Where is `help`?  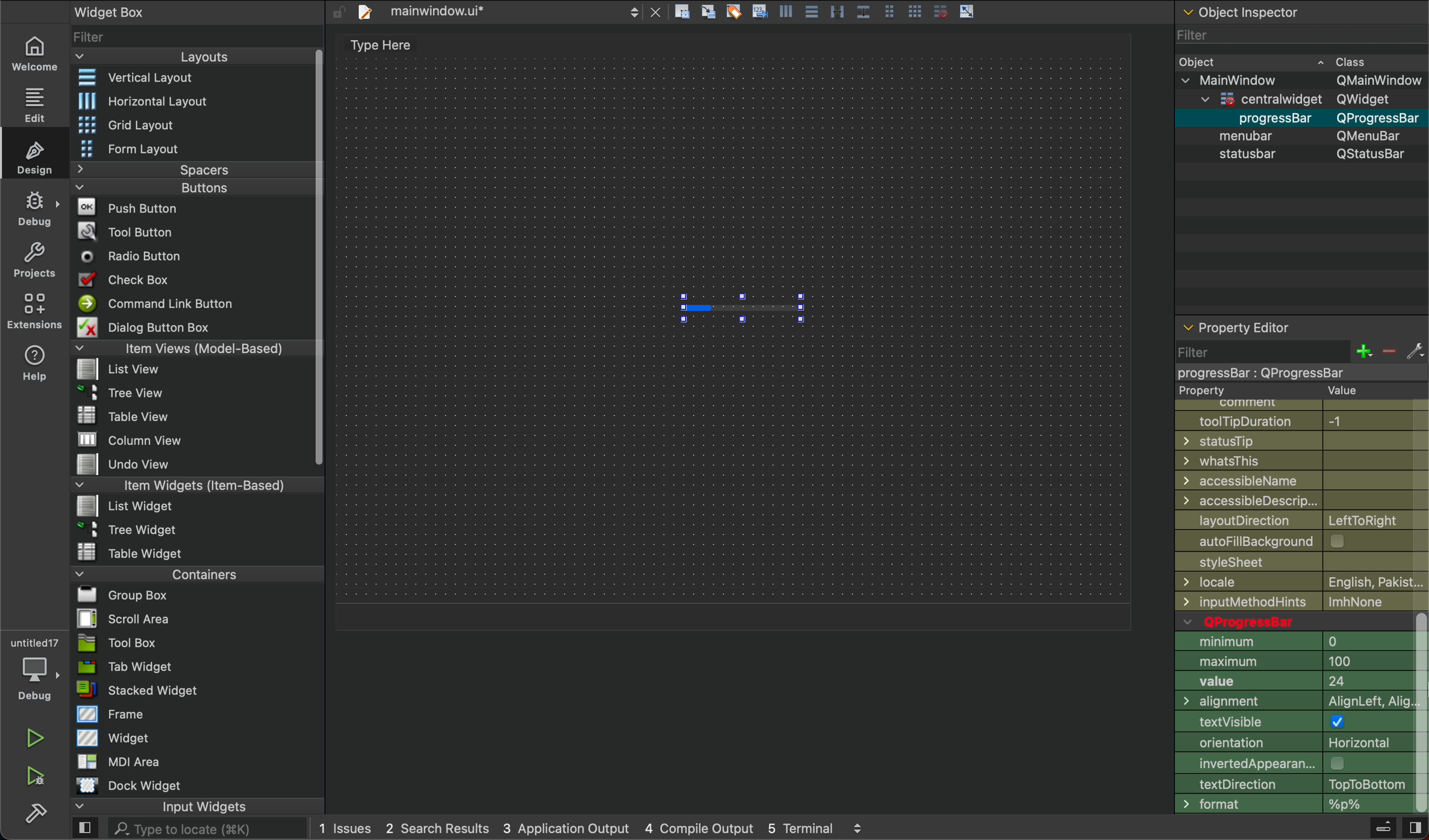
help is located at coordinates (36, 362).